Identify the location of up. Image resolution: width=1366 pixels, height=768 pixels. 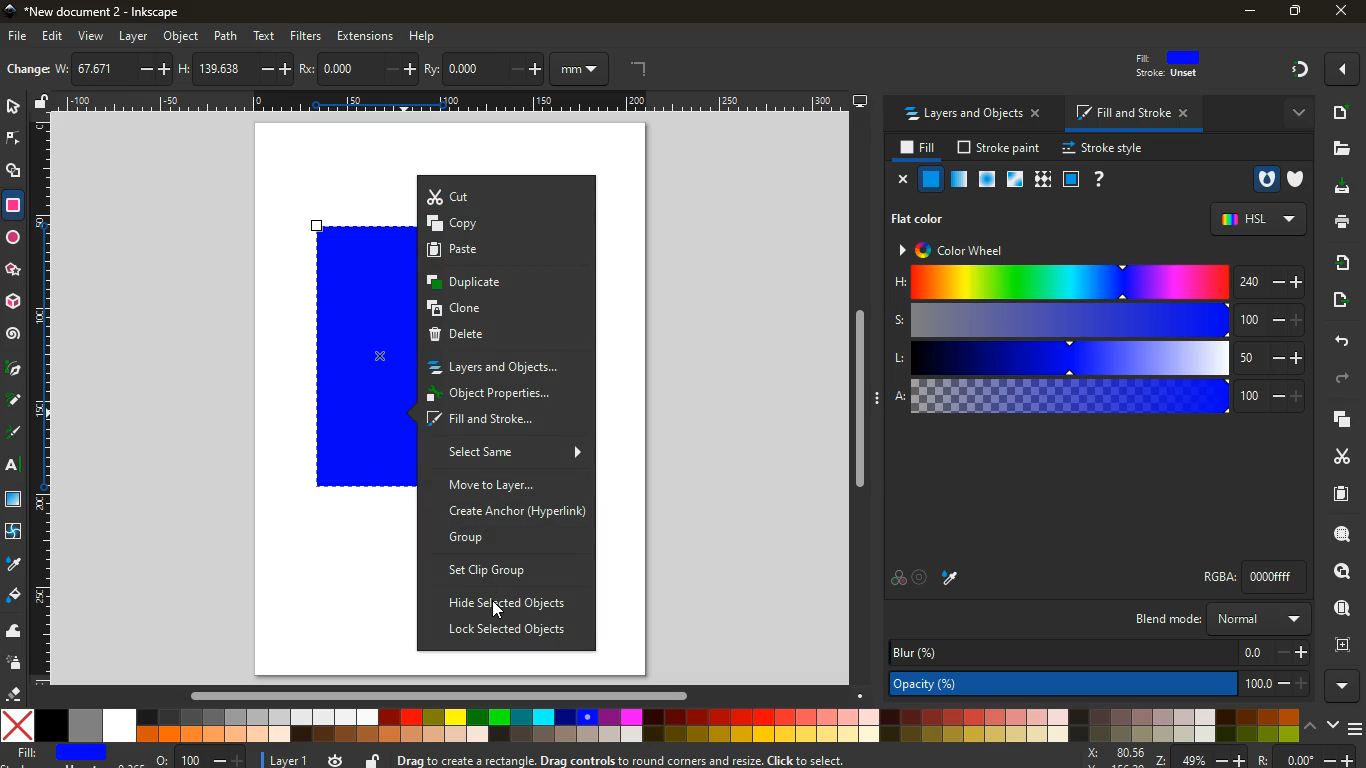
(1313, 727).